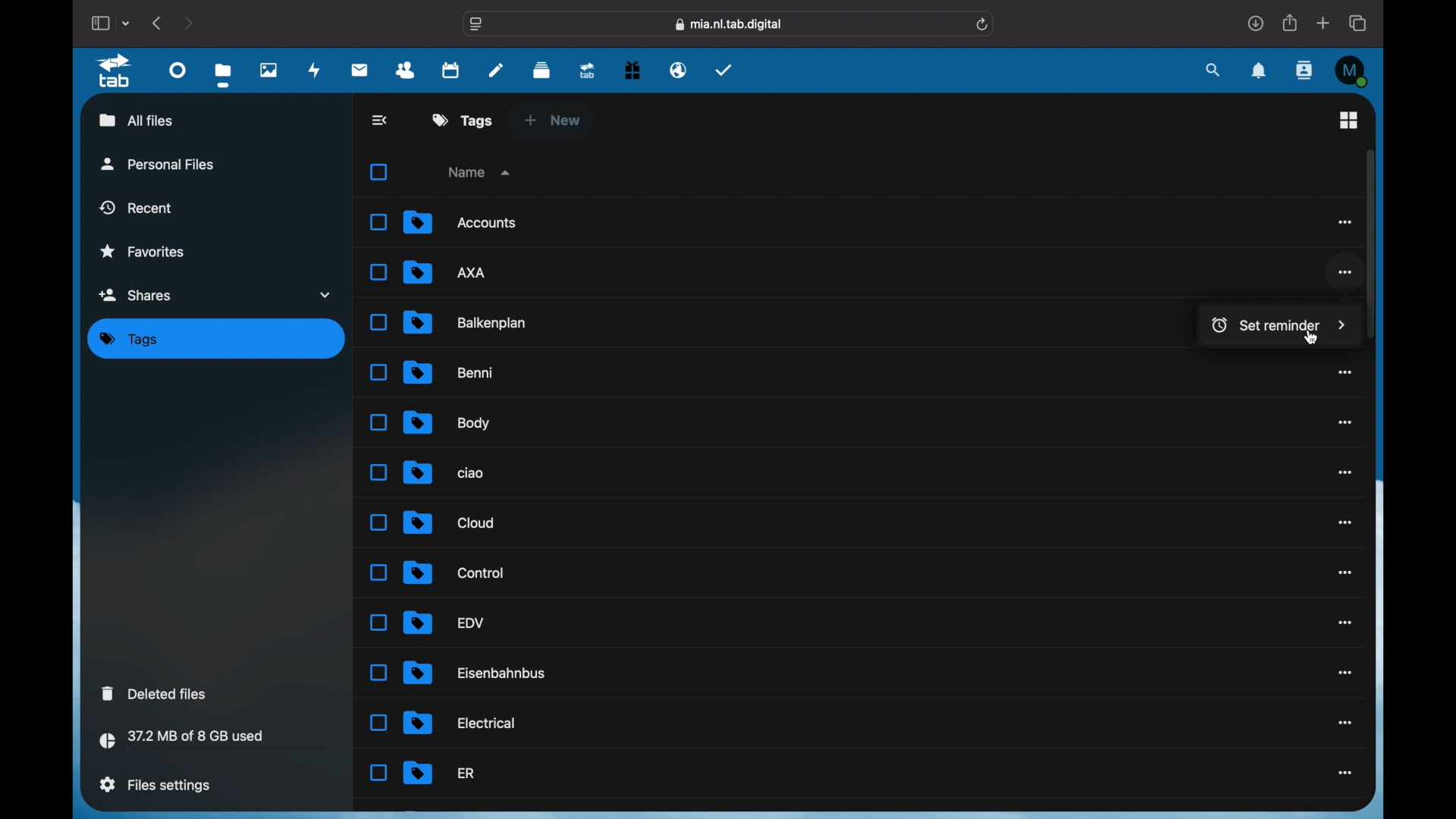  What do you see at coordinates (190, 23) in the screenshot?
I see `next` at bounding box center [190, 23].